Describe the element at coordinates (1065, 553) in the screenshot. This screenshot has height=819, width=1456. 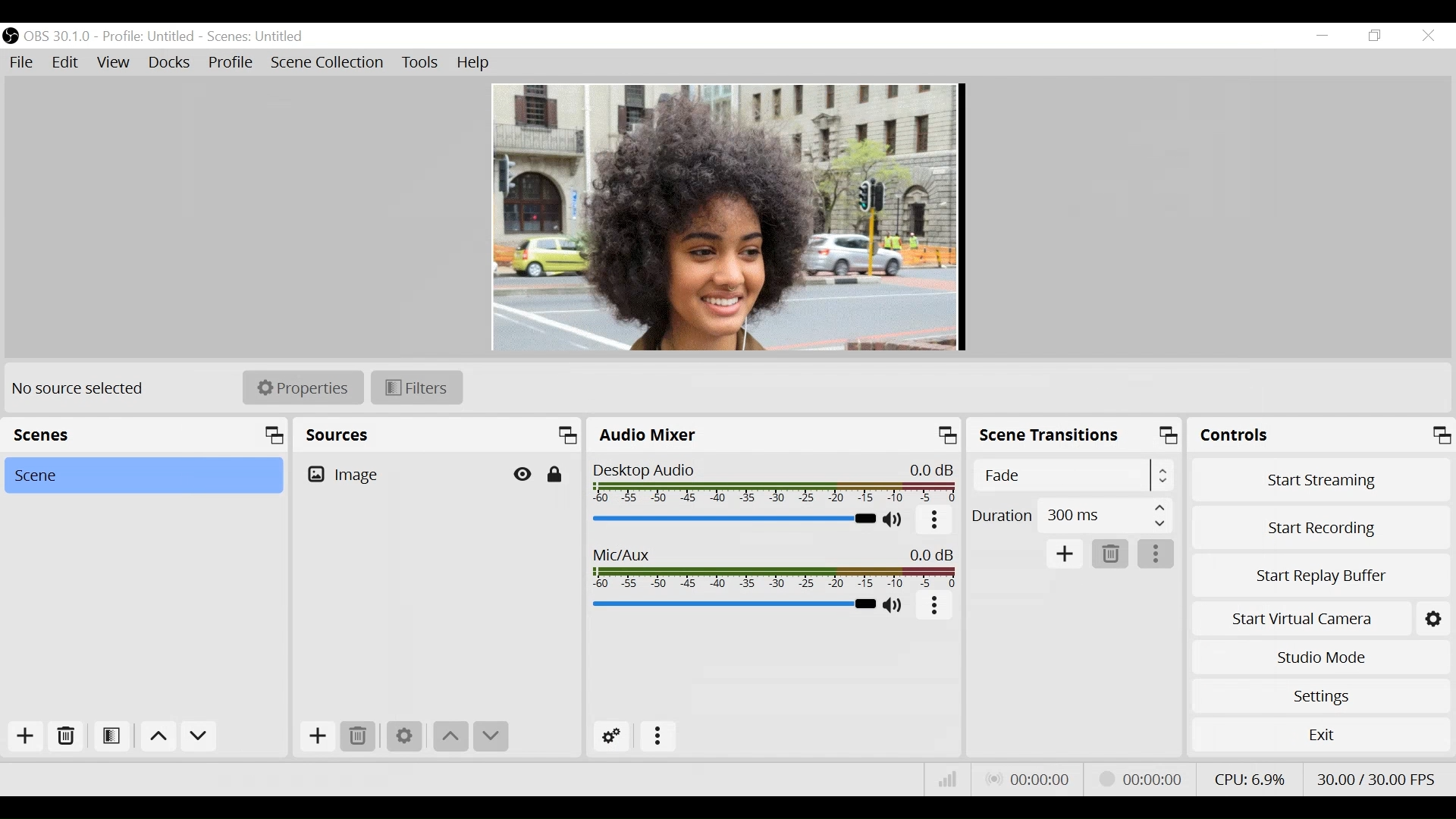
I see `Add ` at that location.